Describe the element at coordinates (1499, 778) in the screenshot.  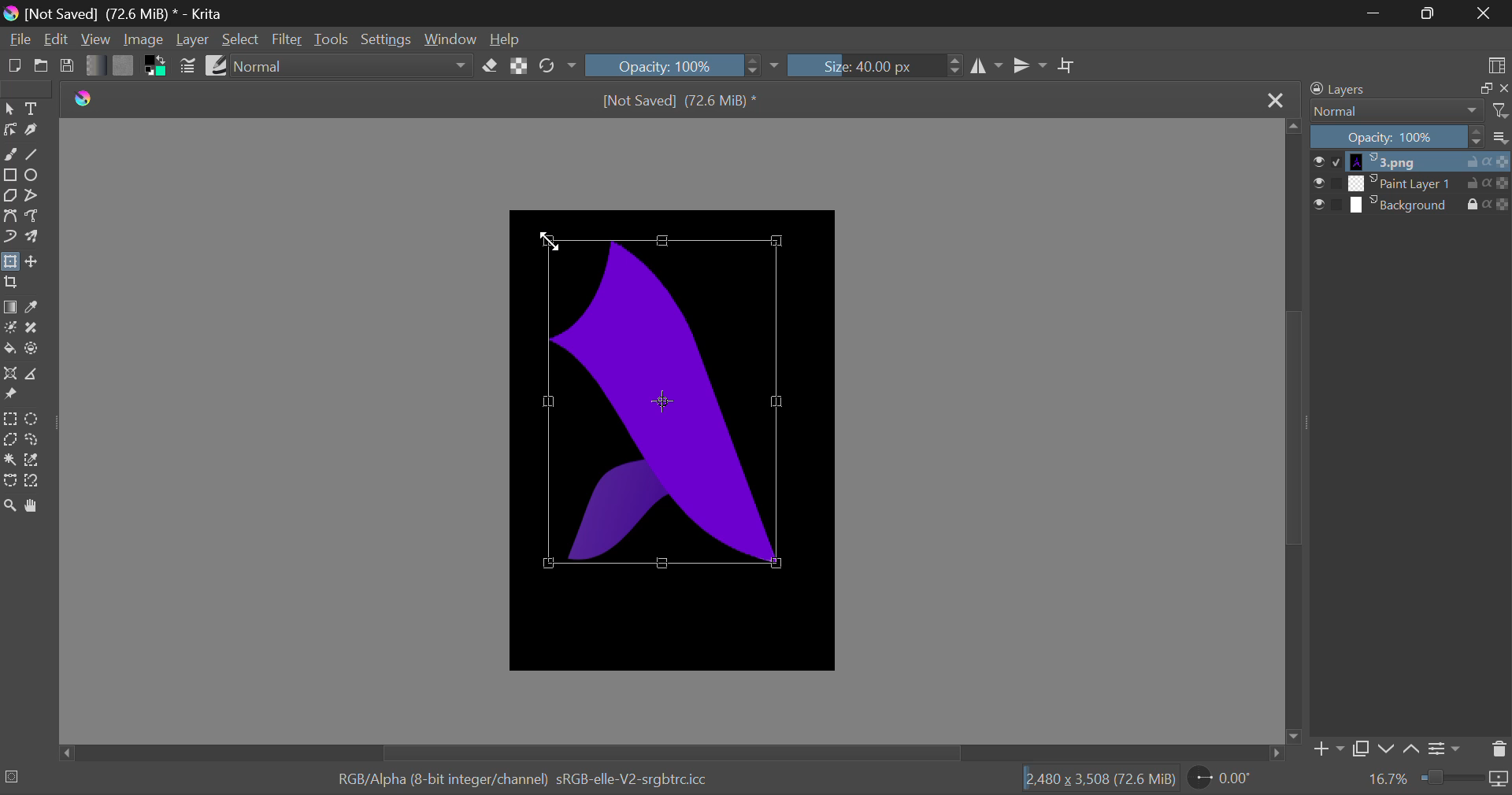
I see `icon` at that location.